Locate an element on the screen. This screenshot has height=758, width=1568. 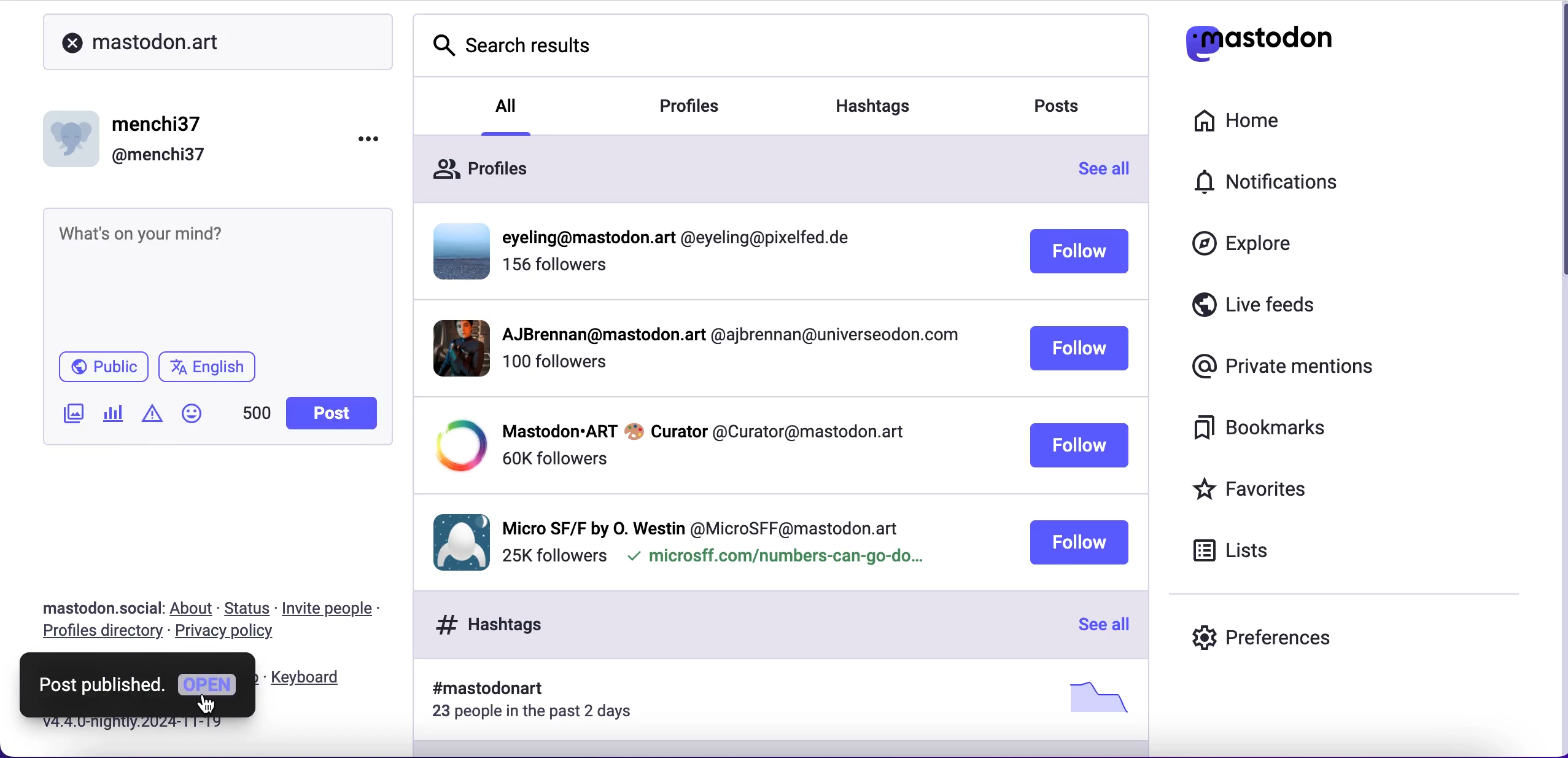
mastodon.social is located at coordinates (96, 606).